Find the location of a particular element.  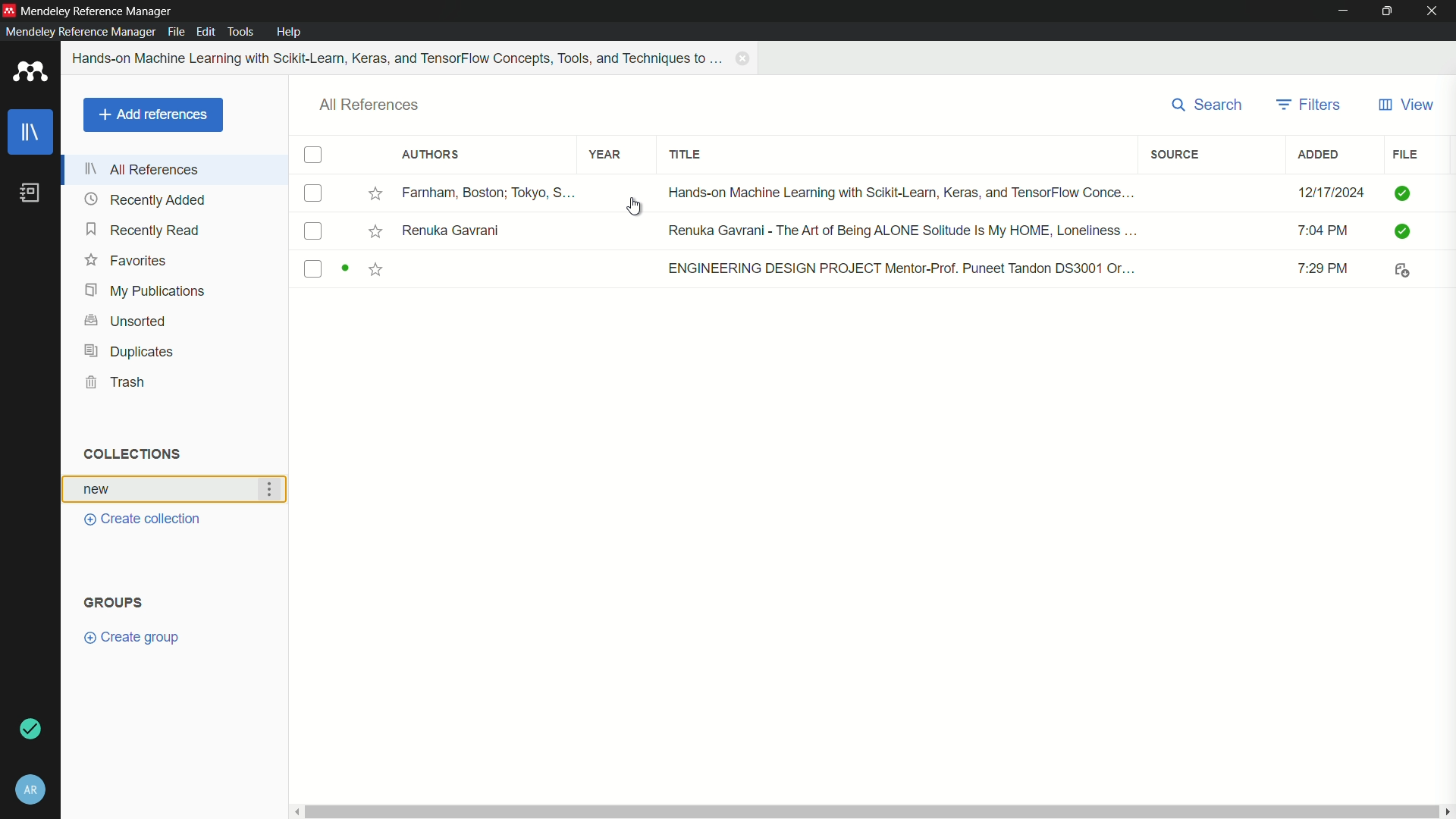

close book is located at coordinates (745, 58).